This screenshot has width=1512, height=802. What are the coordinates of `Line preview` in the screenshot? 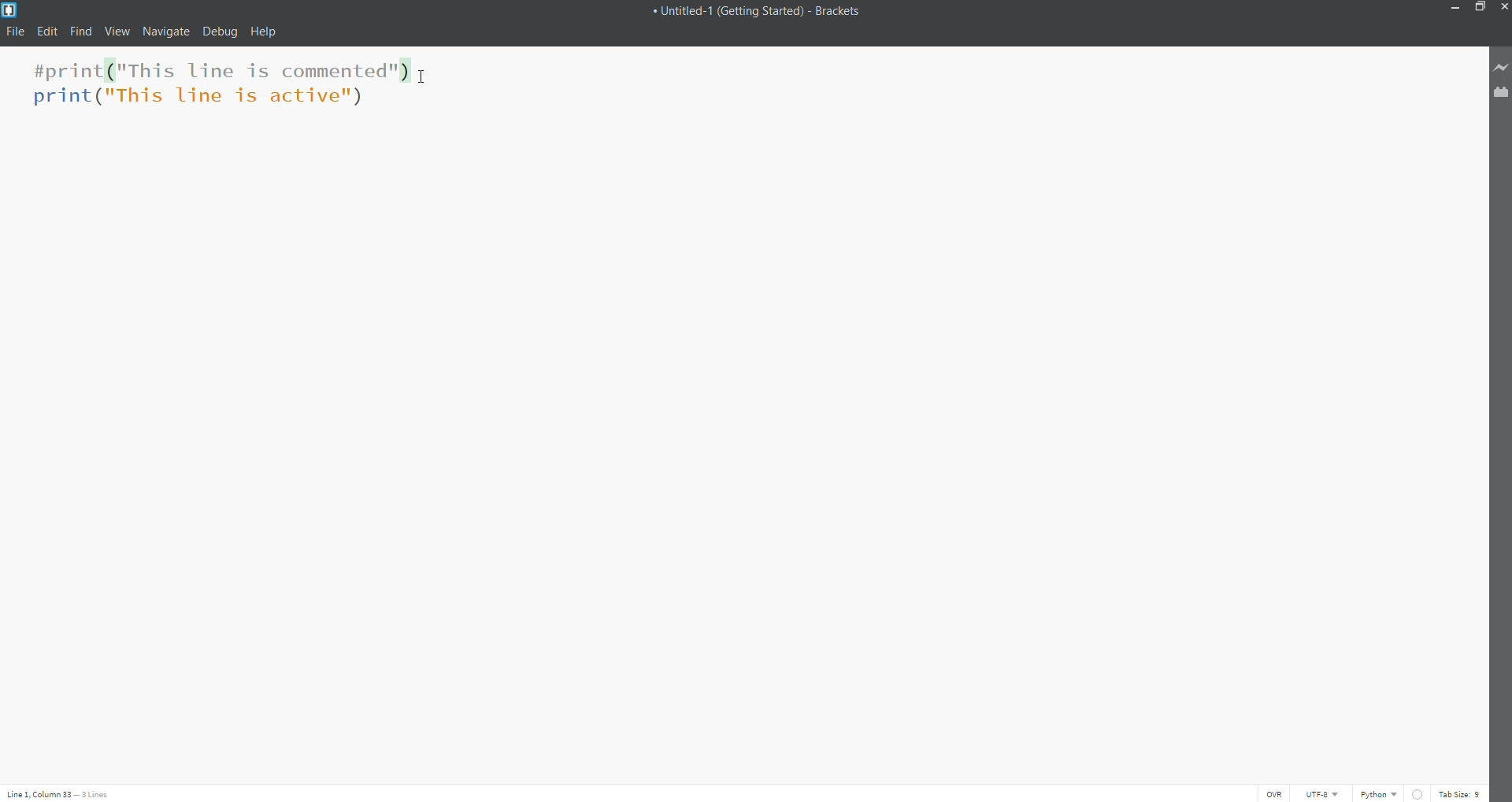 It's located at (1501, 68).